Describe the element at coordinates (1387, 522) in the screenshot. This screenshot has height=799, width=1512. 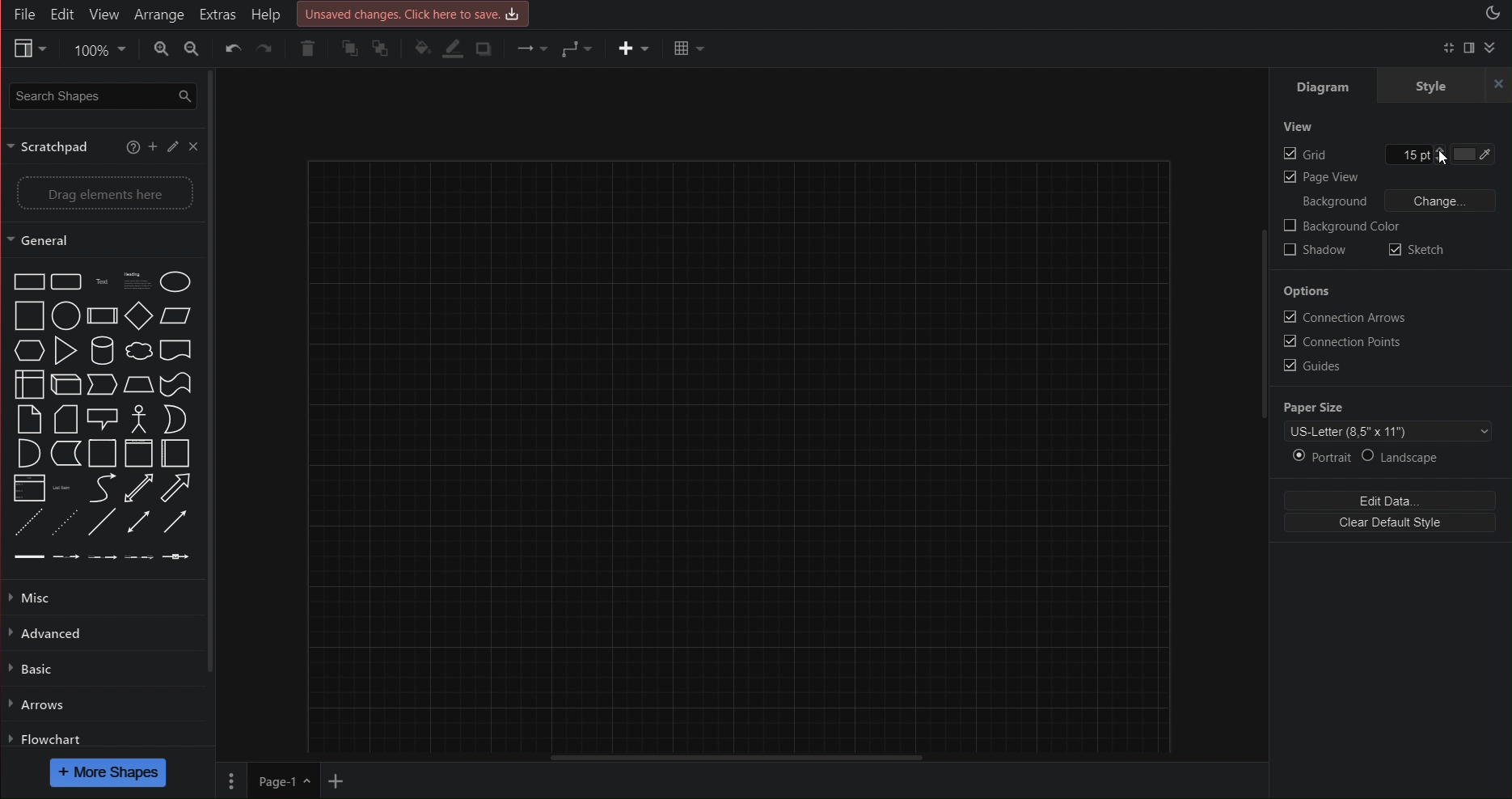
I see `Clear Default Style` at that location.